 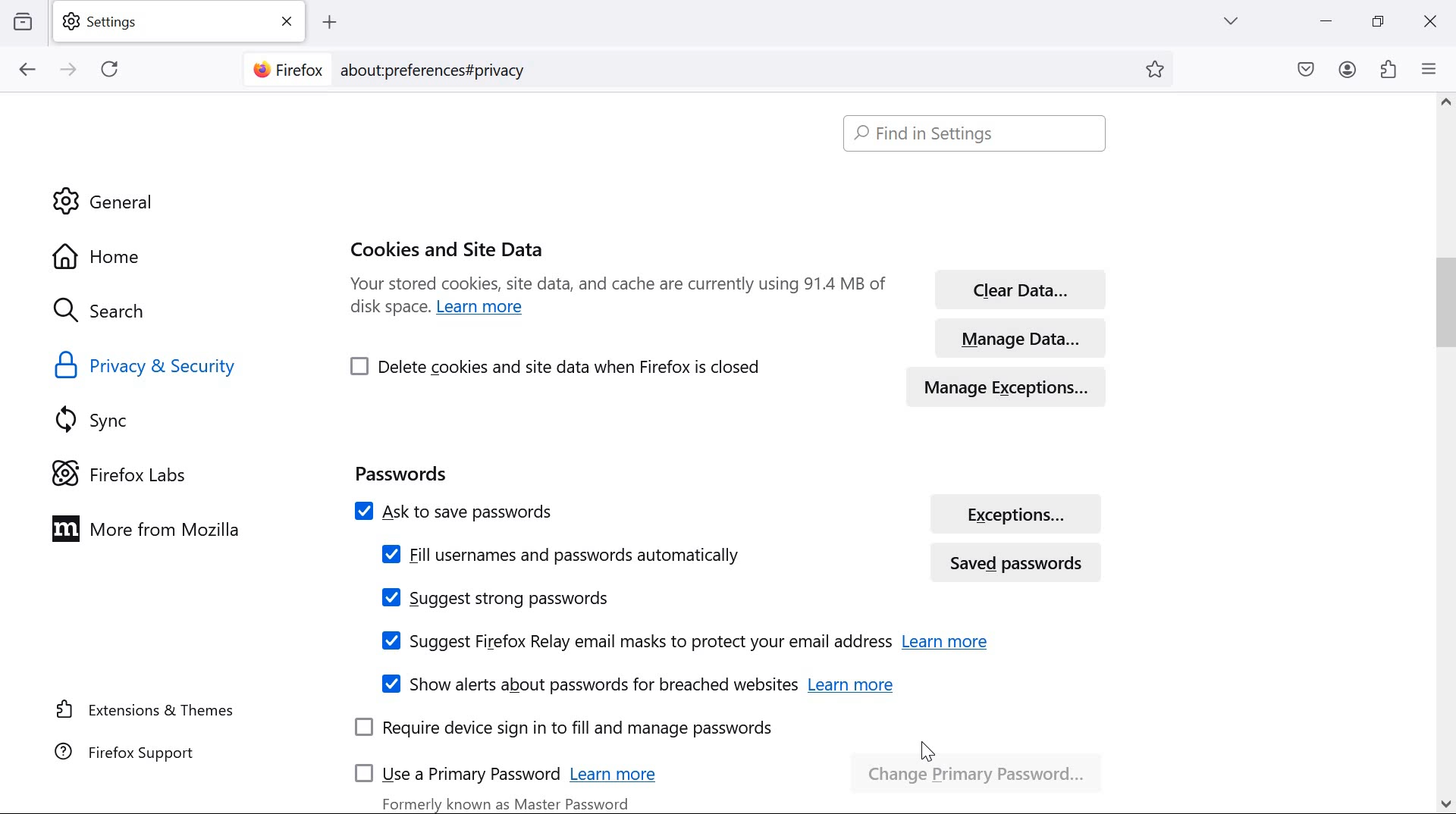 I want to click on Suggest Firefox Relay email masks to protect your email address Learn more, so click(x=681, y=641).